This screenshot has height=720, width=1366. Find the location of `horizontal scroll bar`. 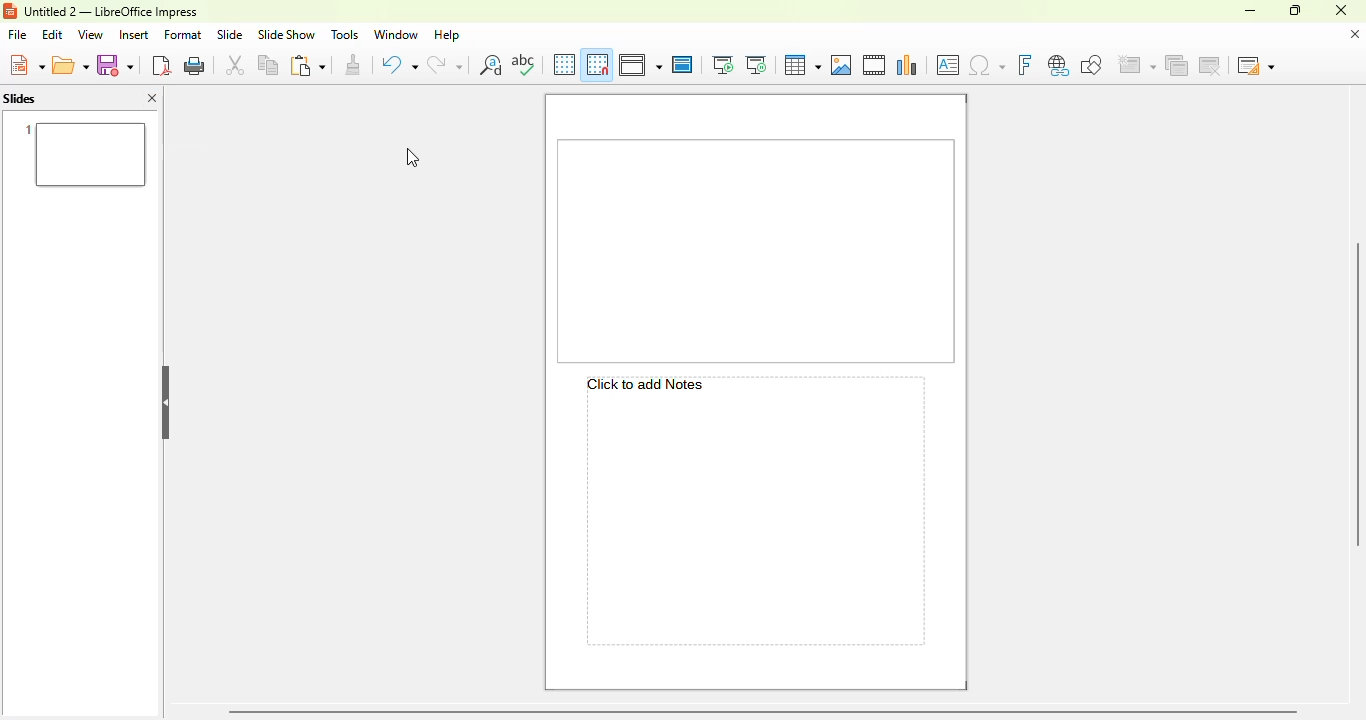

horizontal scroll bar is located at coordinates (766, 711).